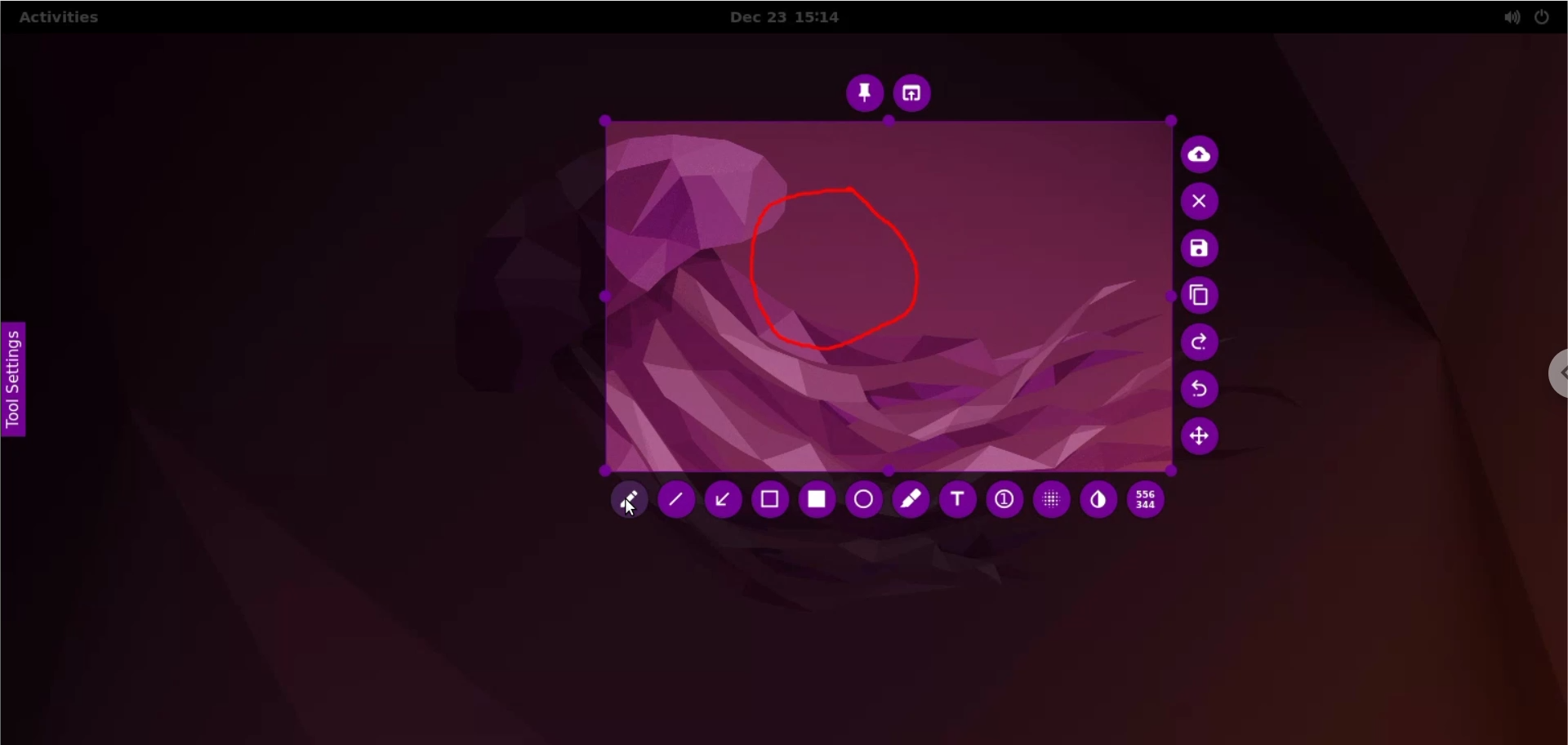 The image size is (1568, 745). I want to click on selection, so click(773, 500).